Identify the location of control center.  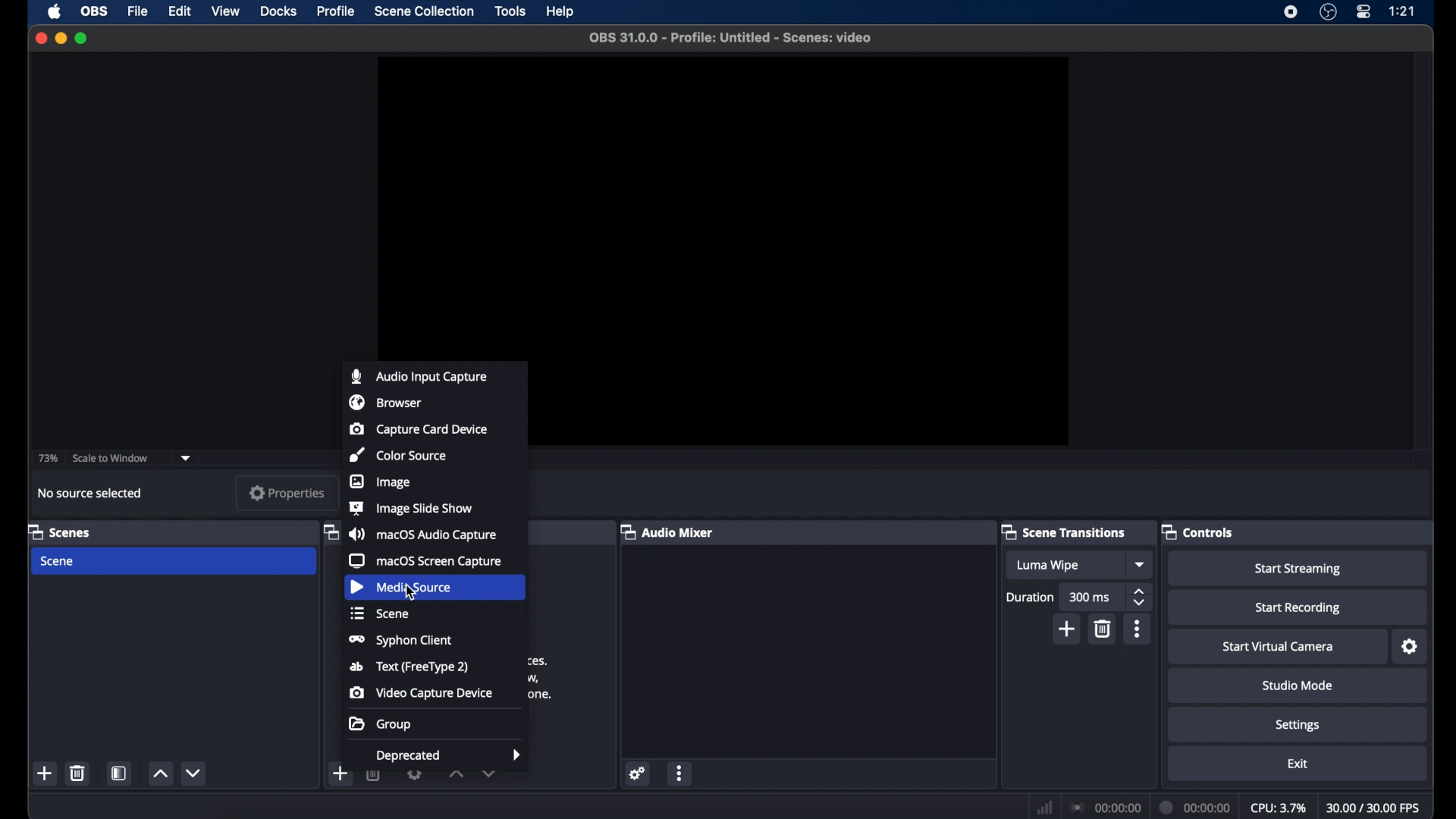
(1364, 11).